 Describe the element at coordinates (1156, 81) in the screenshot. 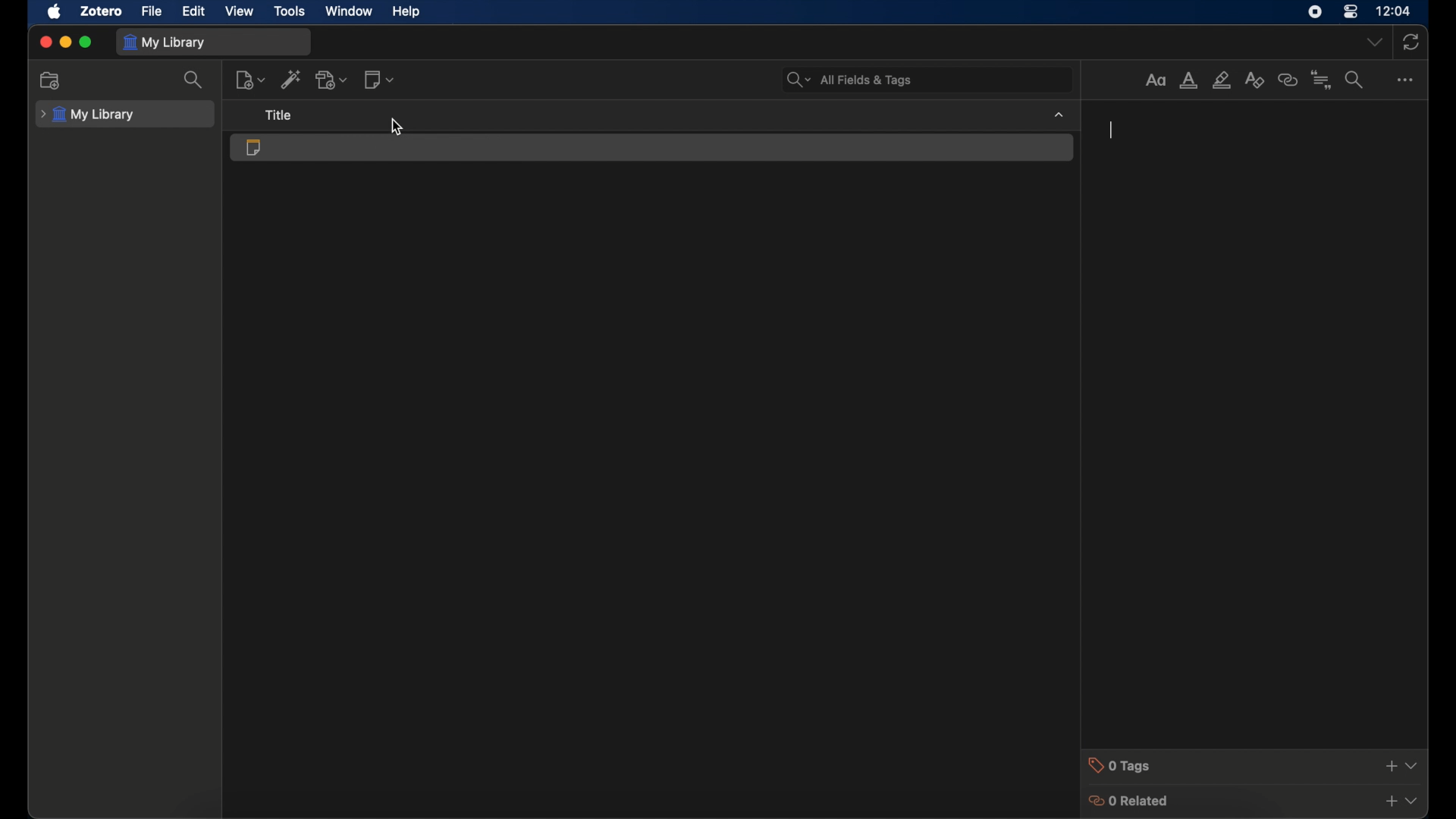

I see `format text` at that location.